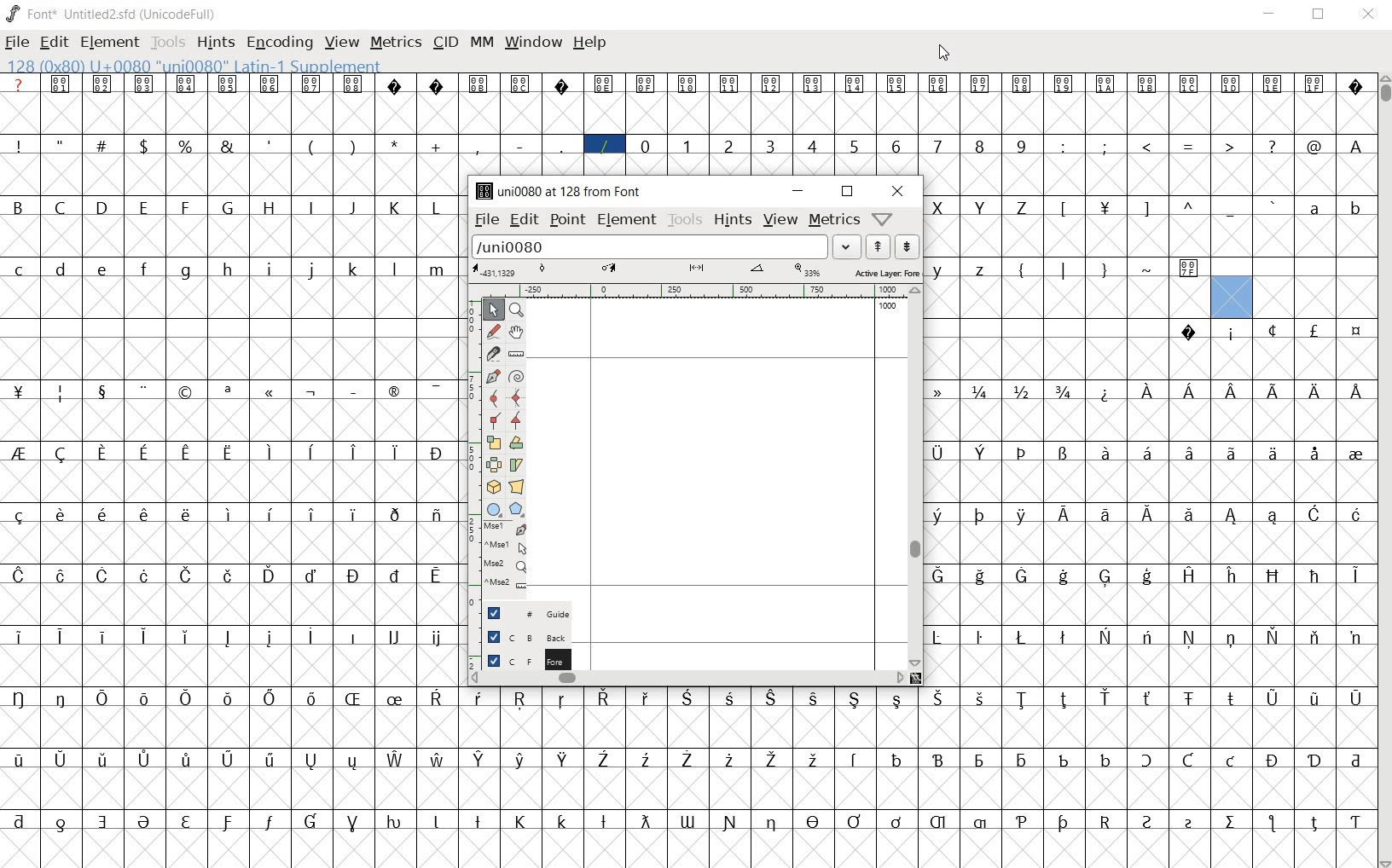  Describe the element at coordinates (1189, 269) in the screenshot. I see `glyph` at that location.